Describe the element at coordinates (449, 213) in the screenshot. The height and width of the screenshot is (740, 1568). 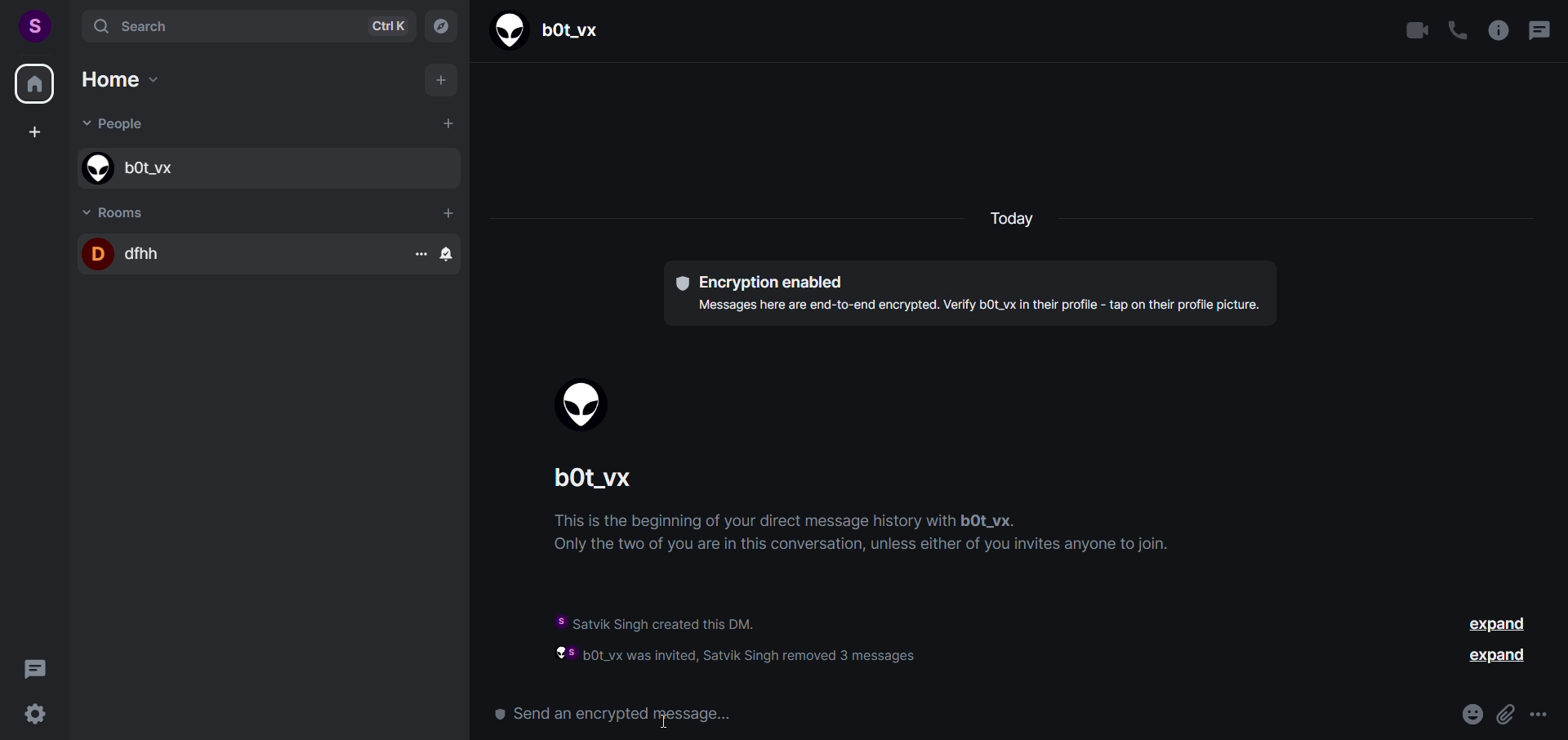
I see `add room` at that location.